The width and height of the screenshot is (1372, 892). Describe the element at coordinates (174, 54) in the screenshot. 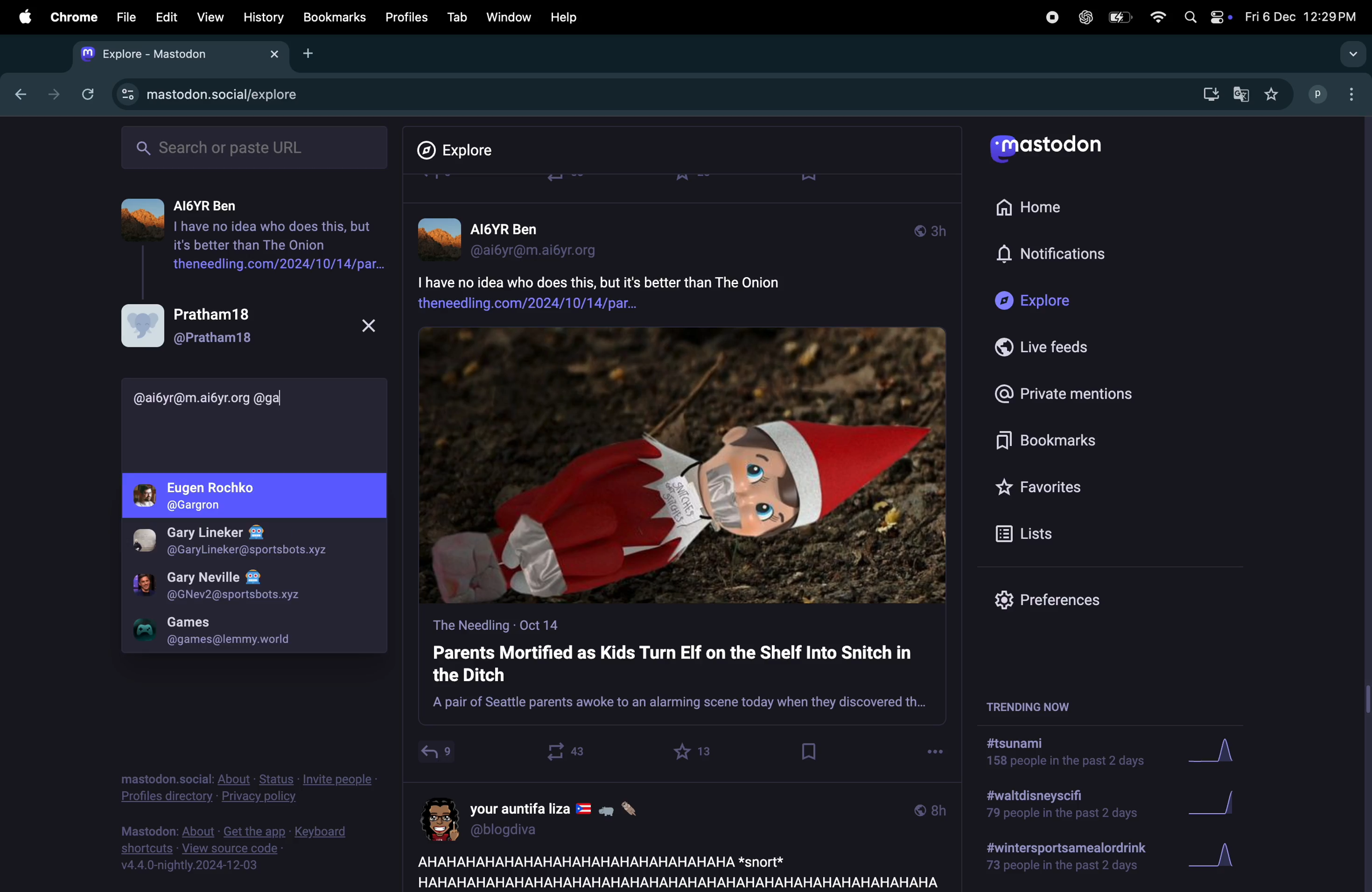

I see `mastodon tab` at that location.